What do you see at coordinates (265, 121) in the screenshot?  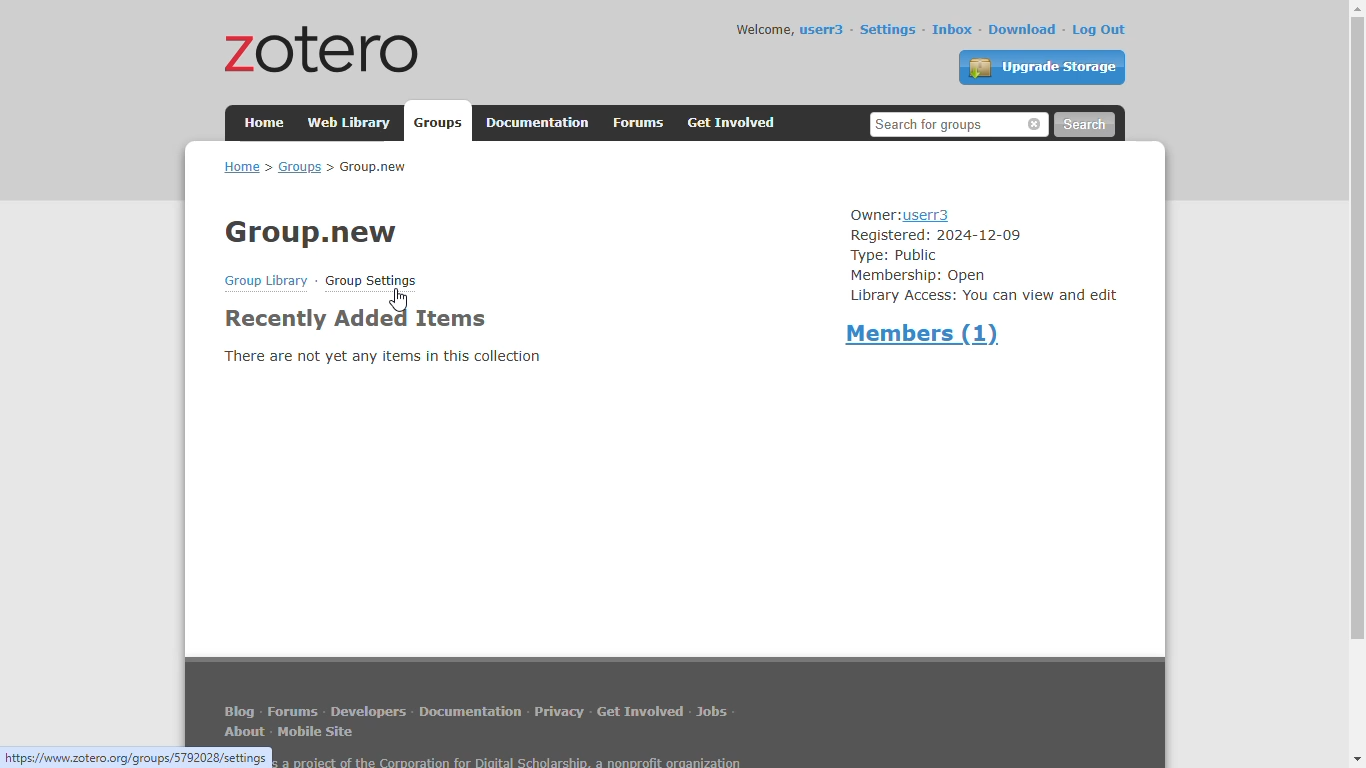 I see `home` at bounding box center [265, 121].